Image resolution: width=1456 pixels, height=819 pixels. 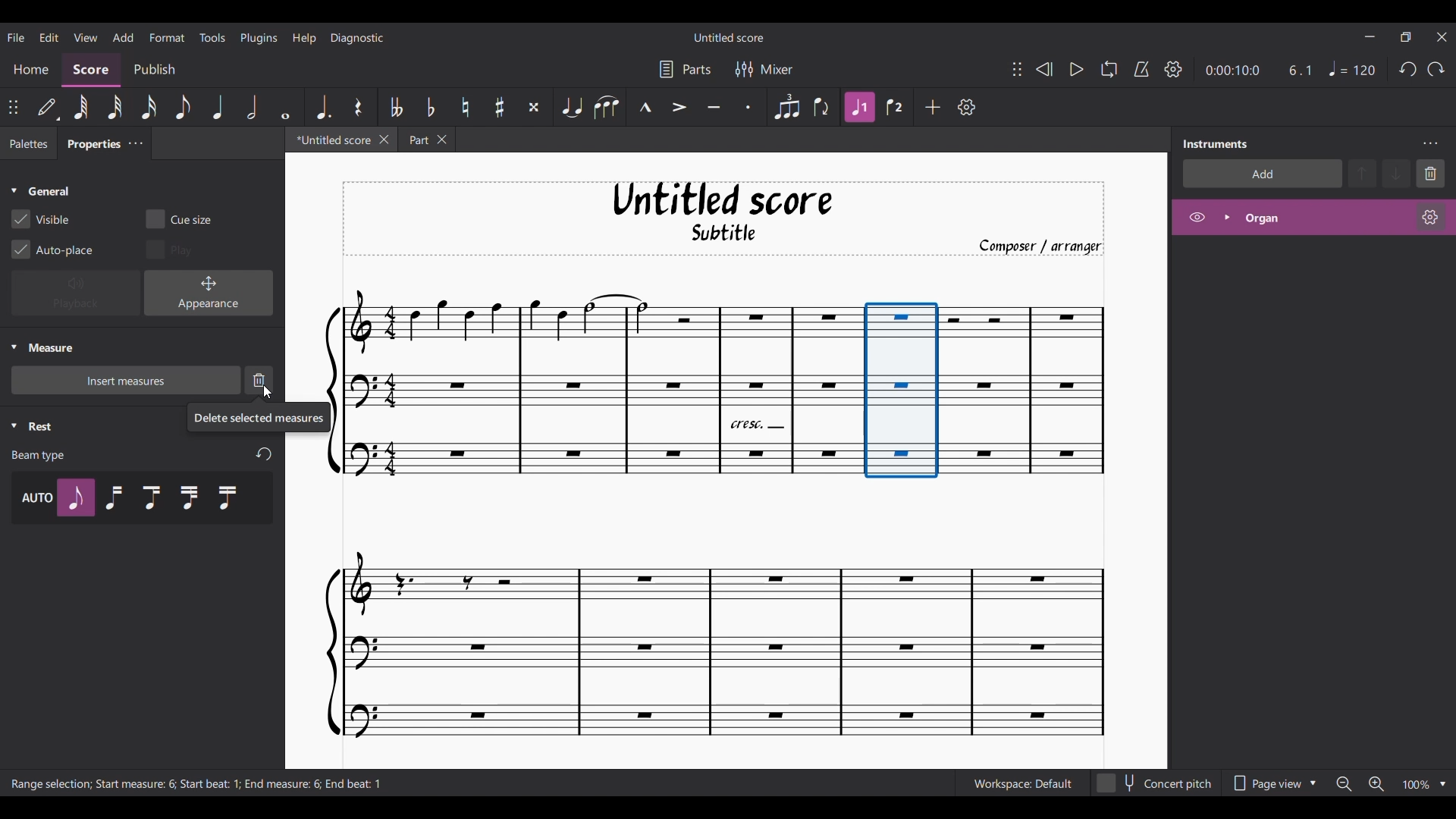 I want to click on Half note, so click(x=252, y=107).